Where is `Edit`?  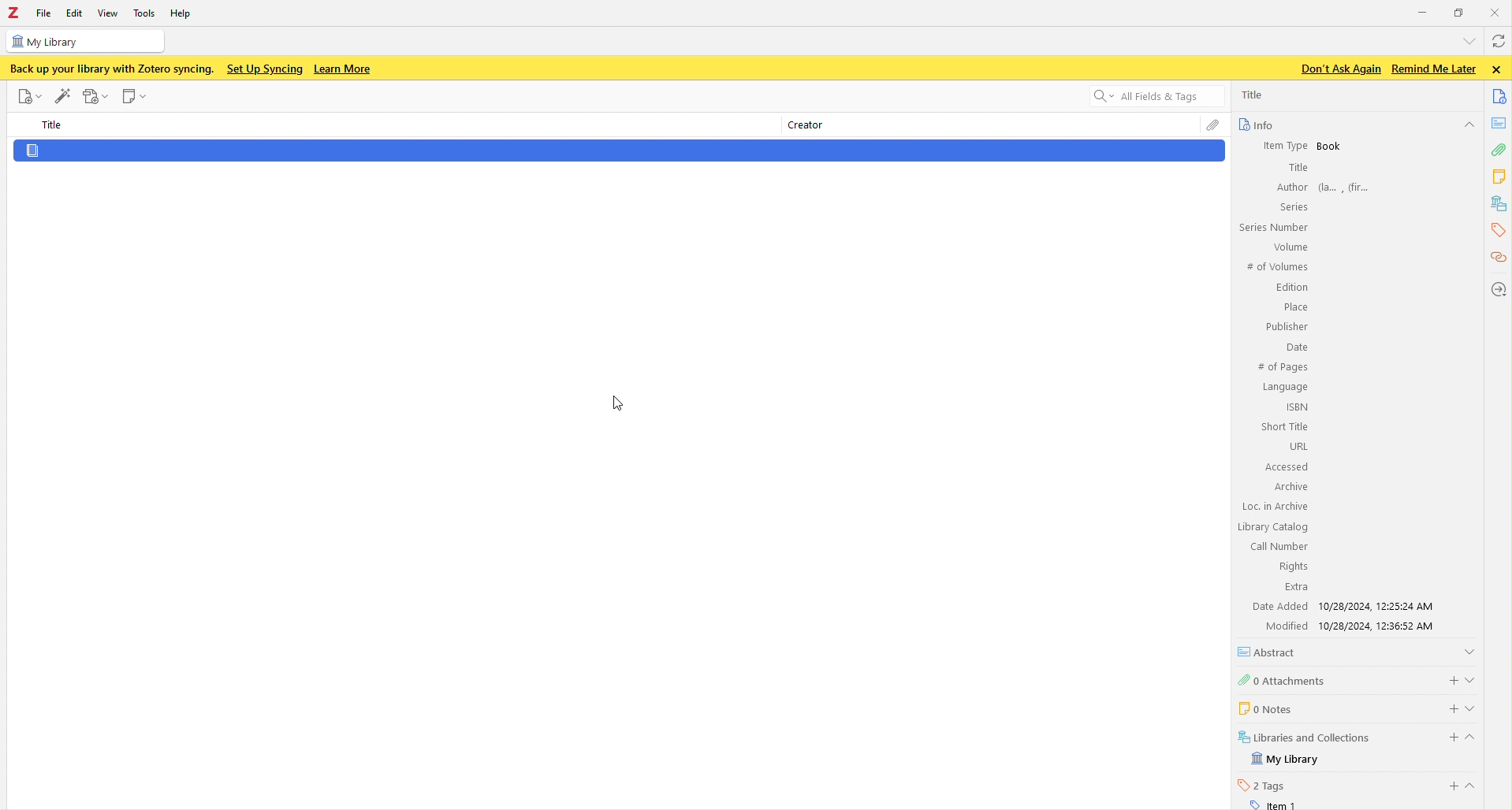 Edit is located at coordinates (73, 13).